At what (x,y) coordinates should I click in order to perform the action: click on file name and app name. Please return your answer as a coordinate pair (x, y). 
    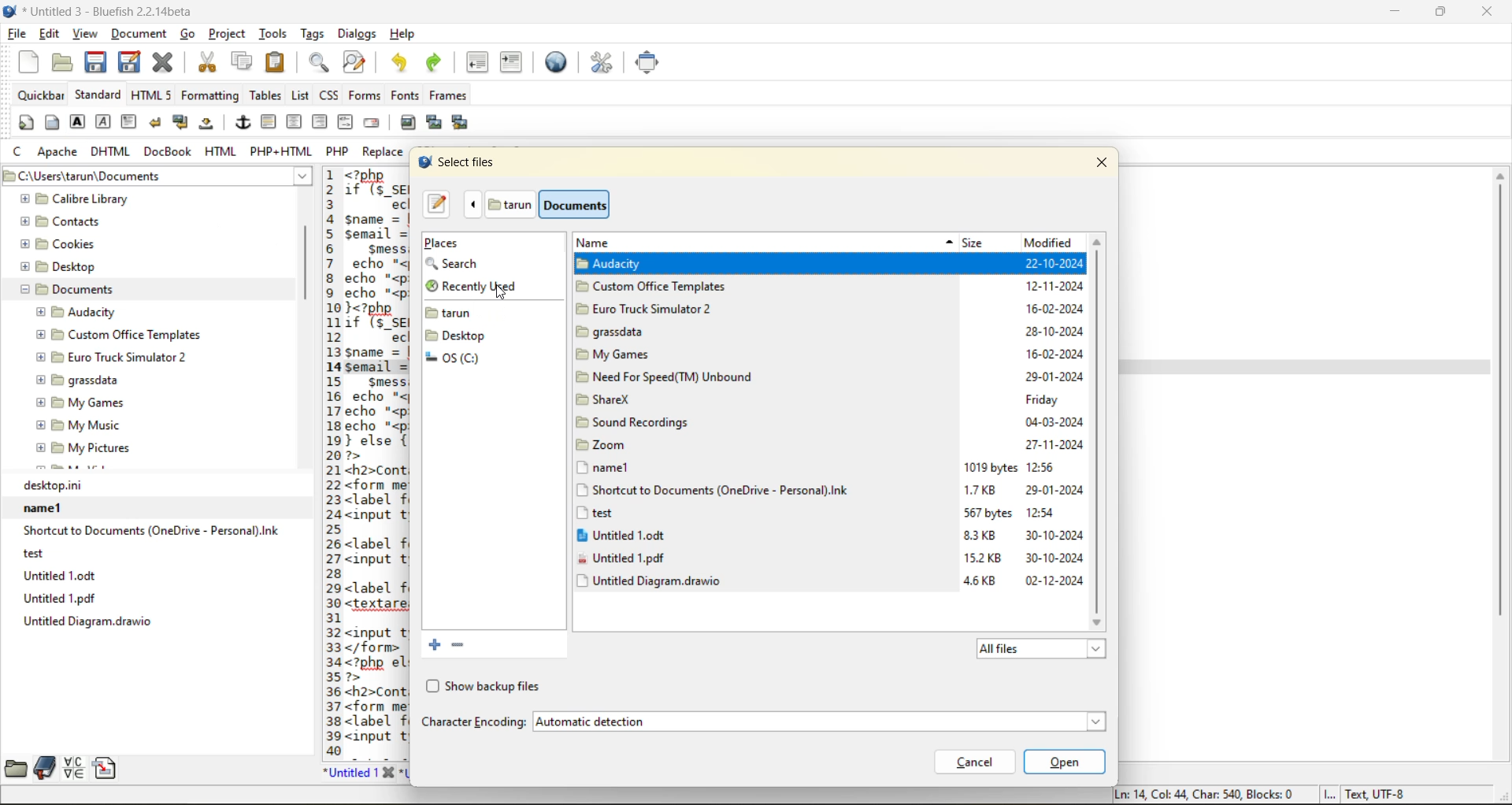
    Looking at the image, I should click on (103, 12).